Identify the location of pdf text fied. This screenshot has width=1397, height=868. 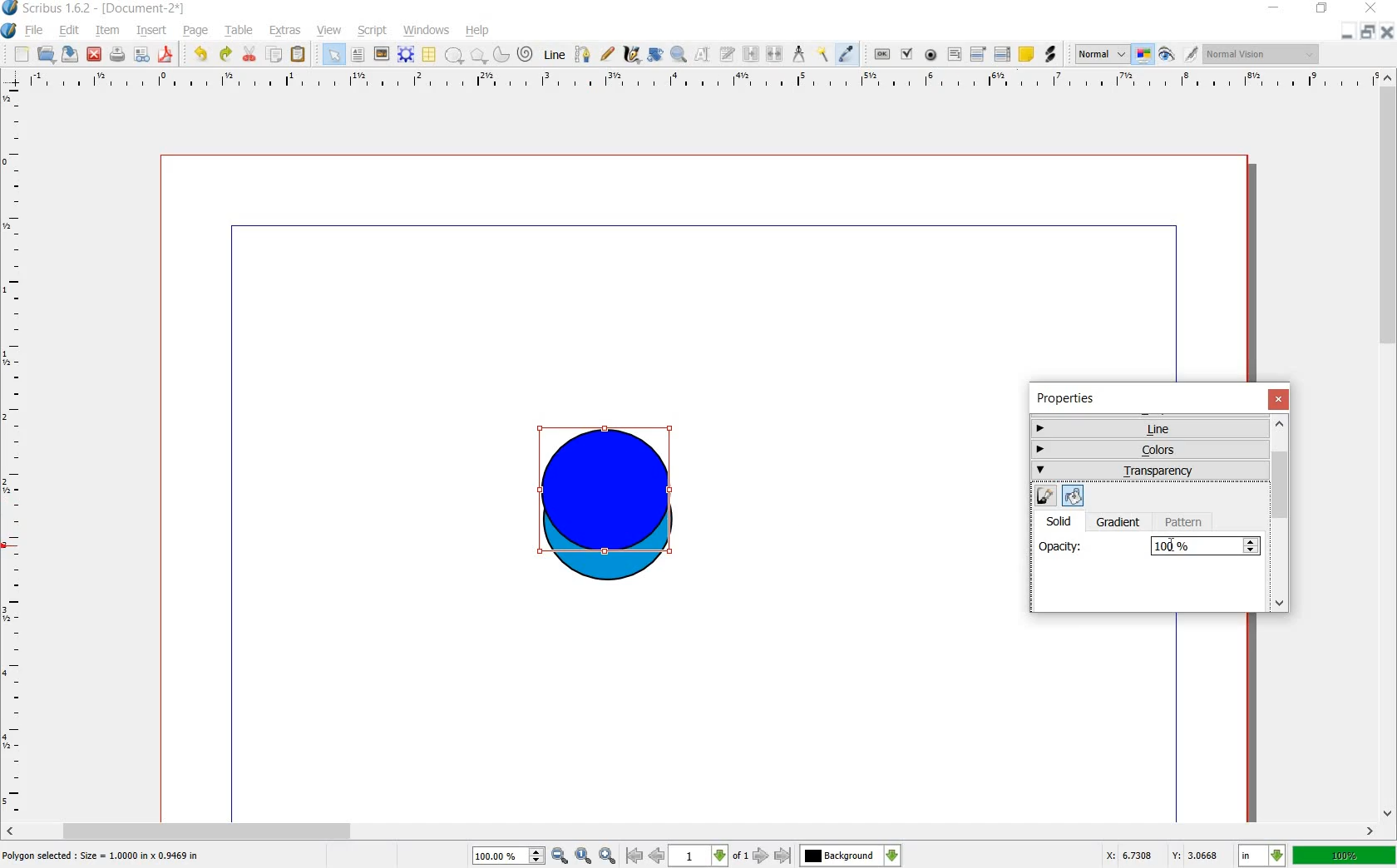
(955, 53).